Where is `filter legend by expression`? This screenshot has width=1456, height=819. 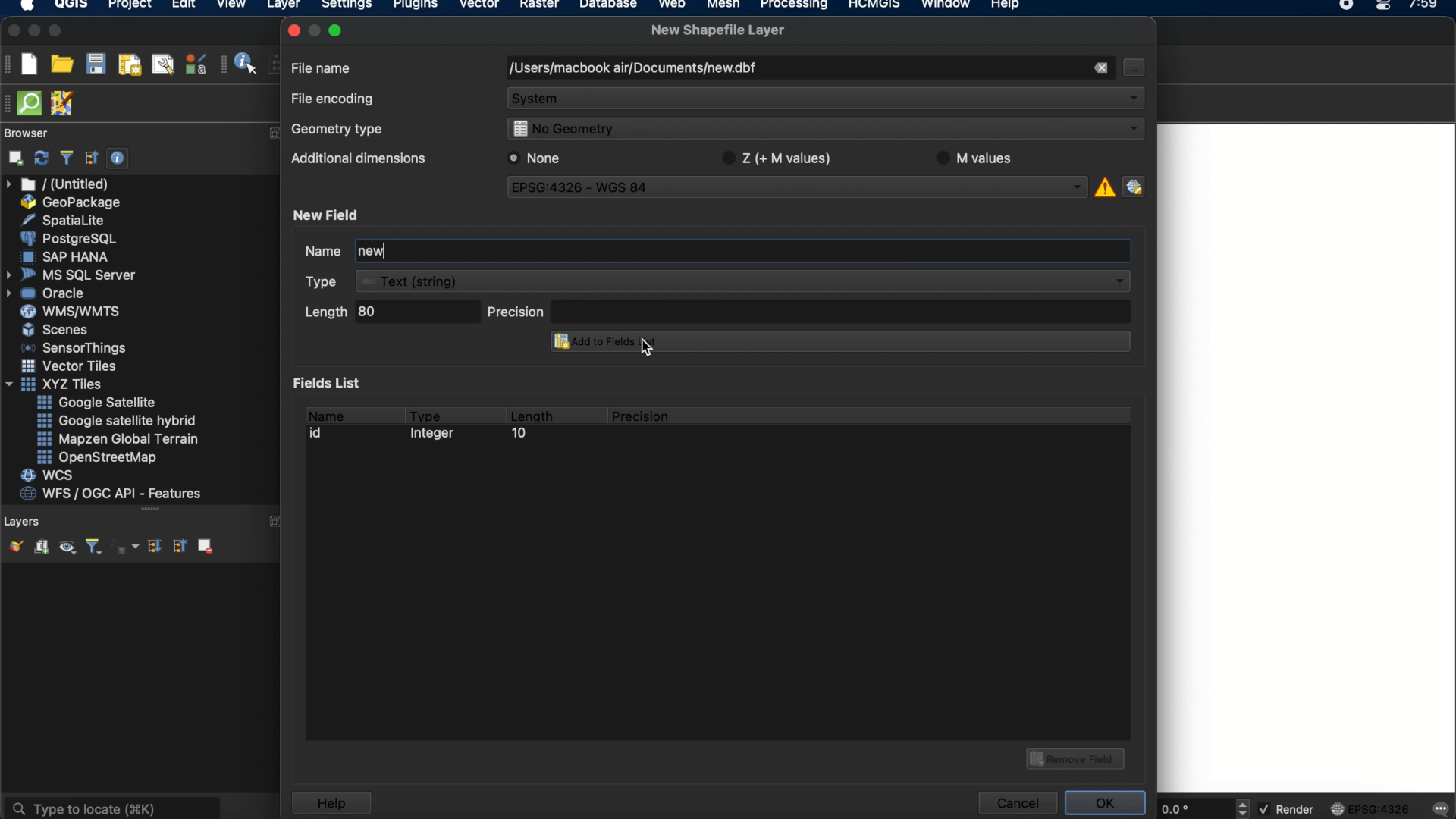 filter legend by expression is located at coordinates (127, 547).